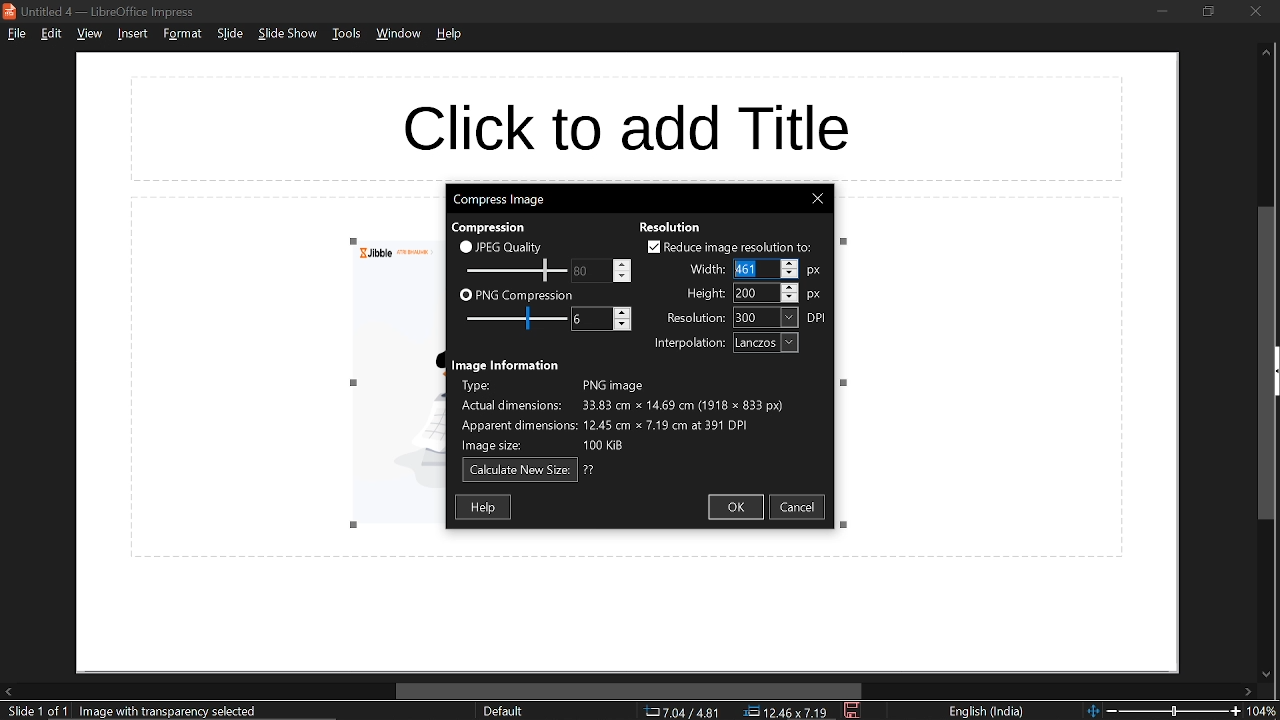 Image resolution: width=1280 pixels, height=720 pixels. I want to click on cancel, so click(801, 509).